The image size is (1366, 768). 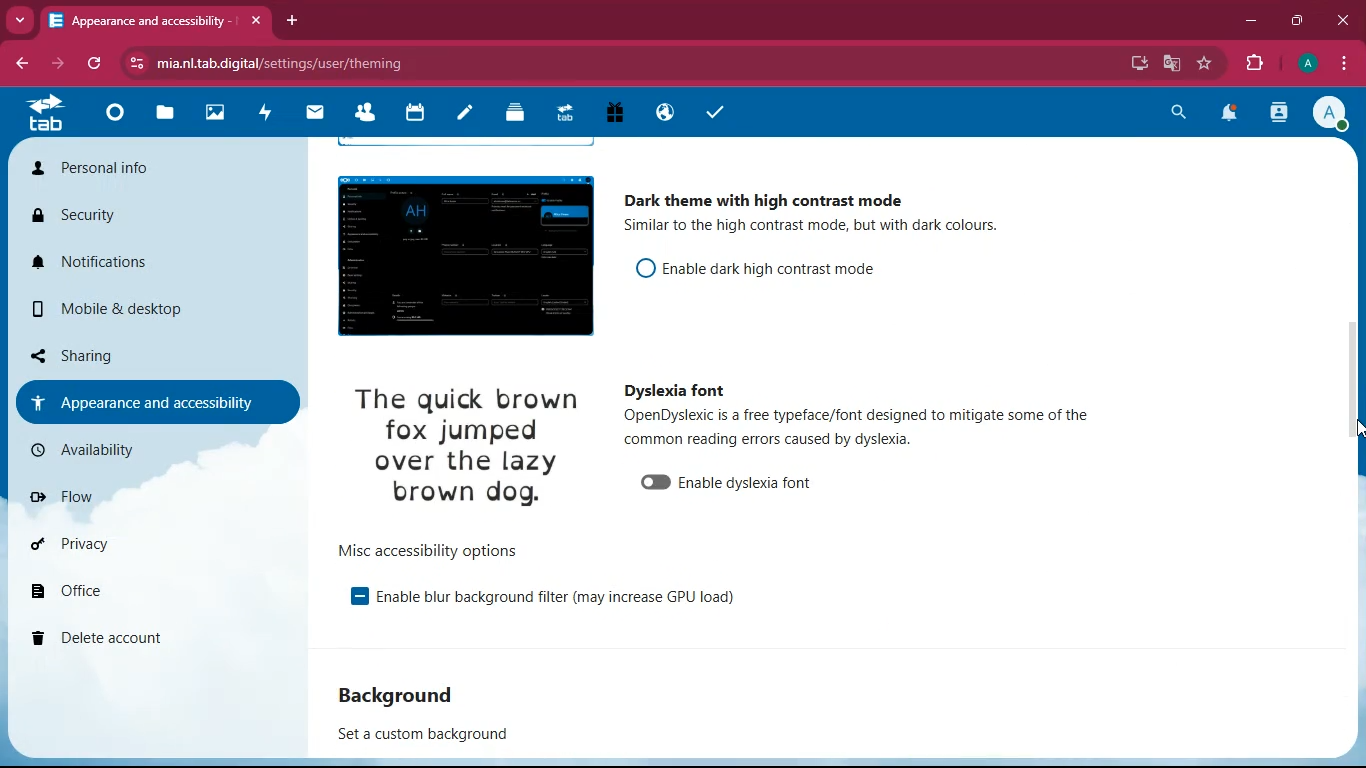 What do you see at coordinates (282, 63) in the screenshot?
I see `url` at bounding box center [282, 63].